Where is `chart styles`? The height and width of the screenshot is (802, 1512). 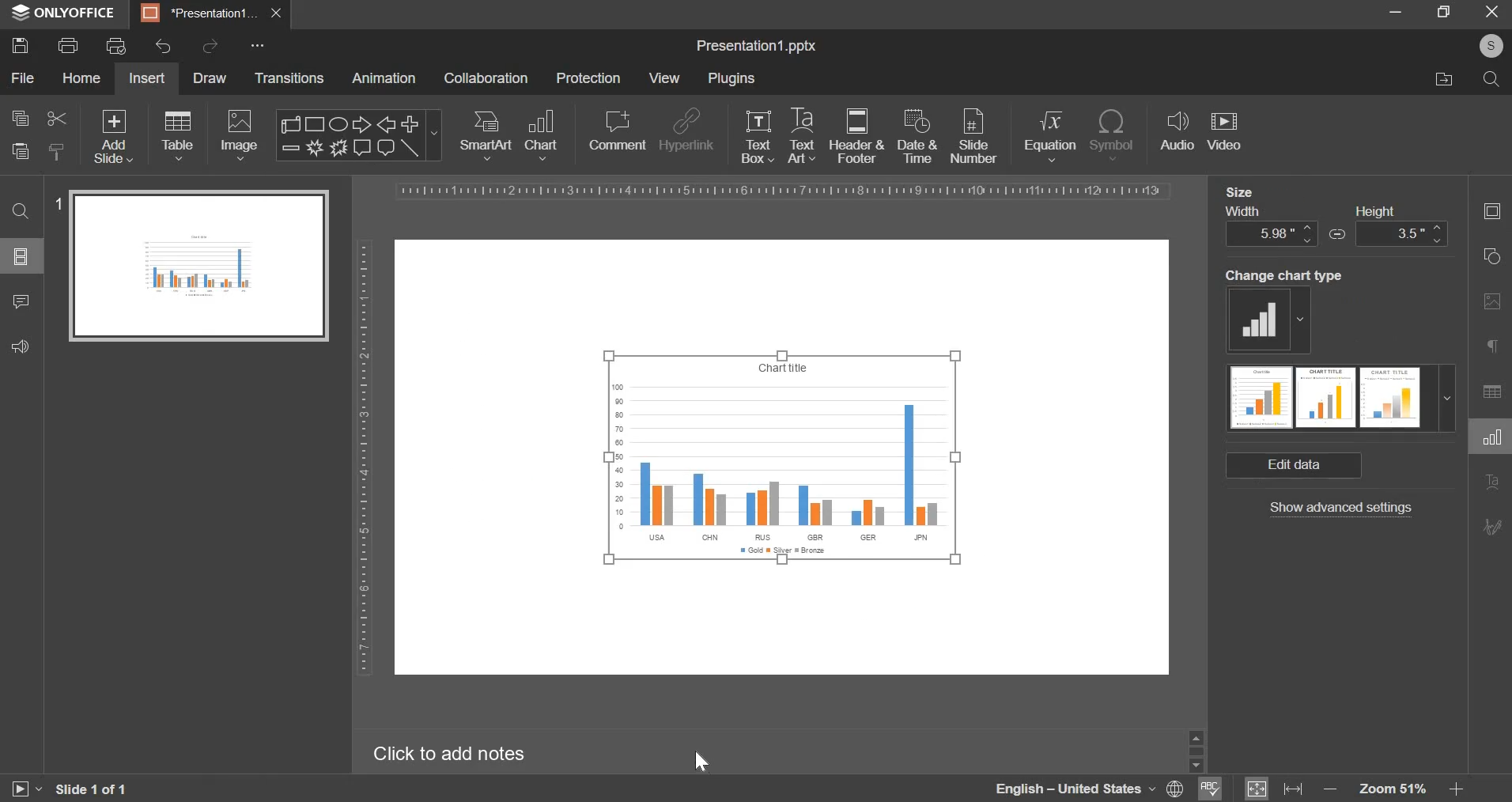
chart styles is located at coordinates (1339, 400).